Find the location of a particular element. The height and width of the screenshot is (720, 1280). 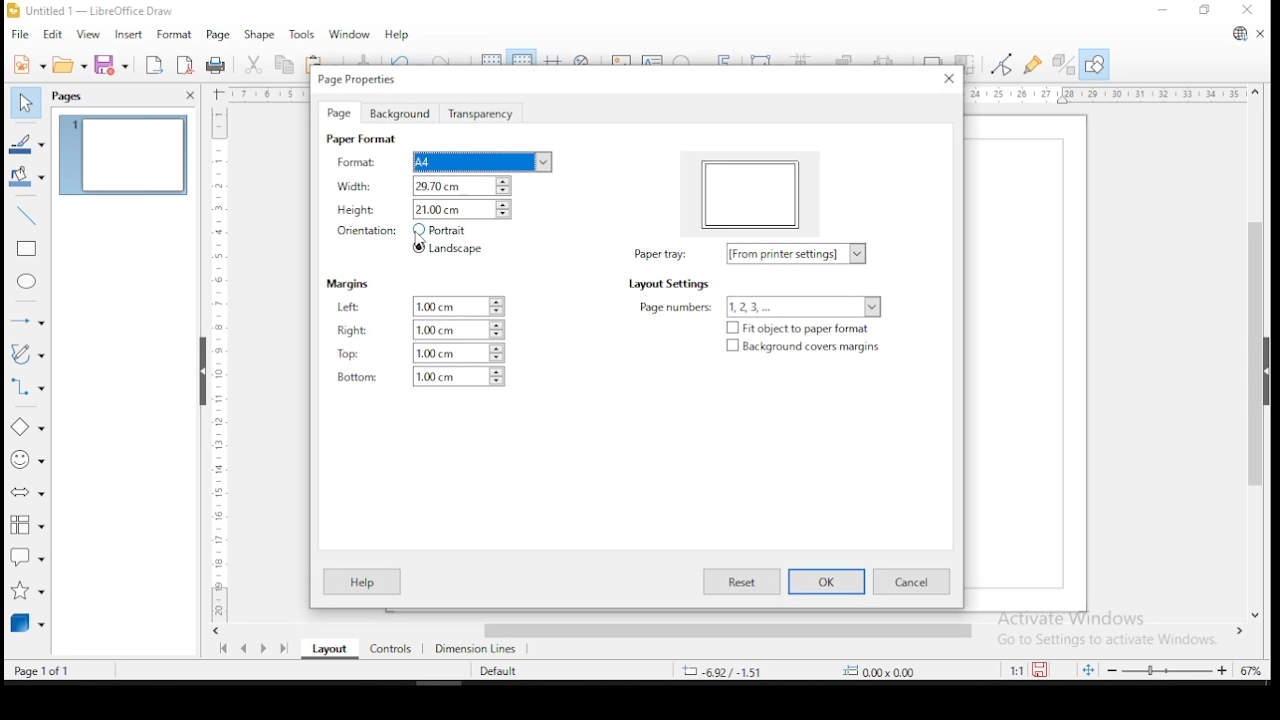

stars and banners is located at coordinates (25, 591).